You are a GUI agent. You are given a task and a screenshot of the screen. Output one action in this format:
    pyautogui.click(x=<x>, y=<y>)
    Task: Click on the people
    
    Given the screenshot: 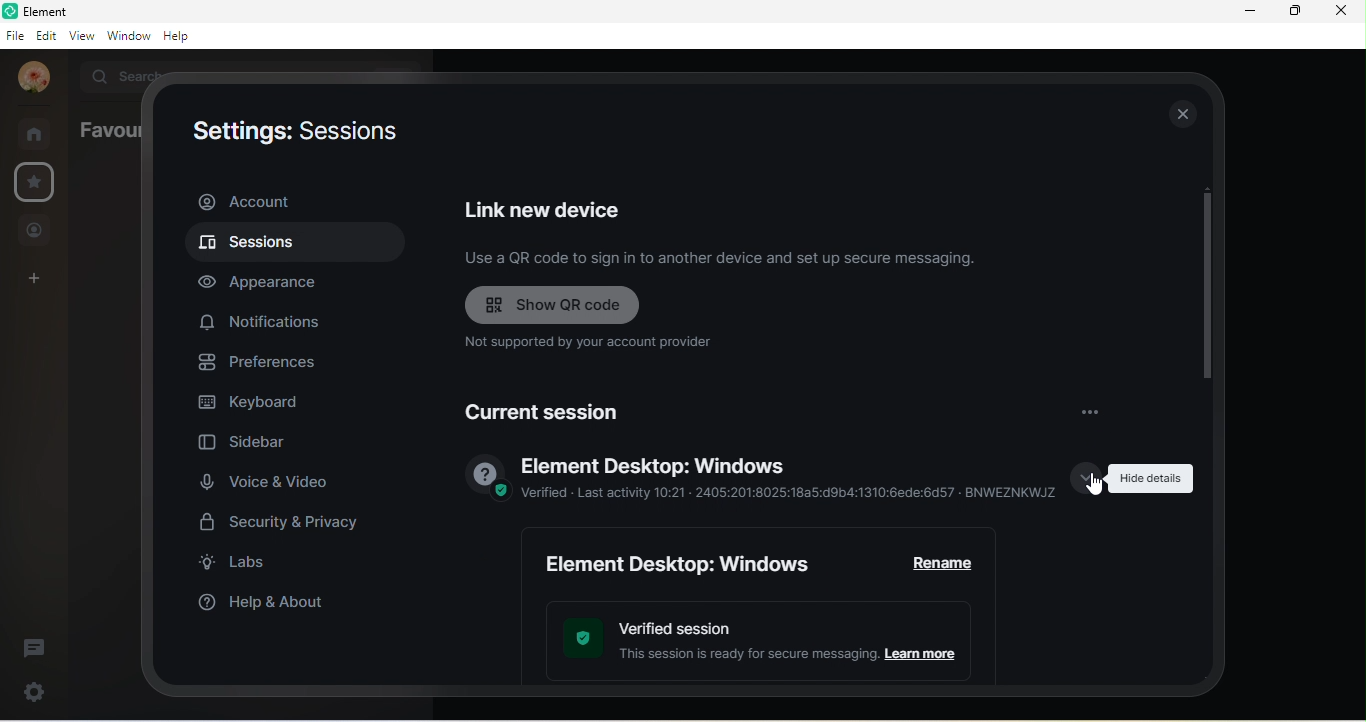 What is the action you would take?
    pyautogui.click(x=35, y=232)
    